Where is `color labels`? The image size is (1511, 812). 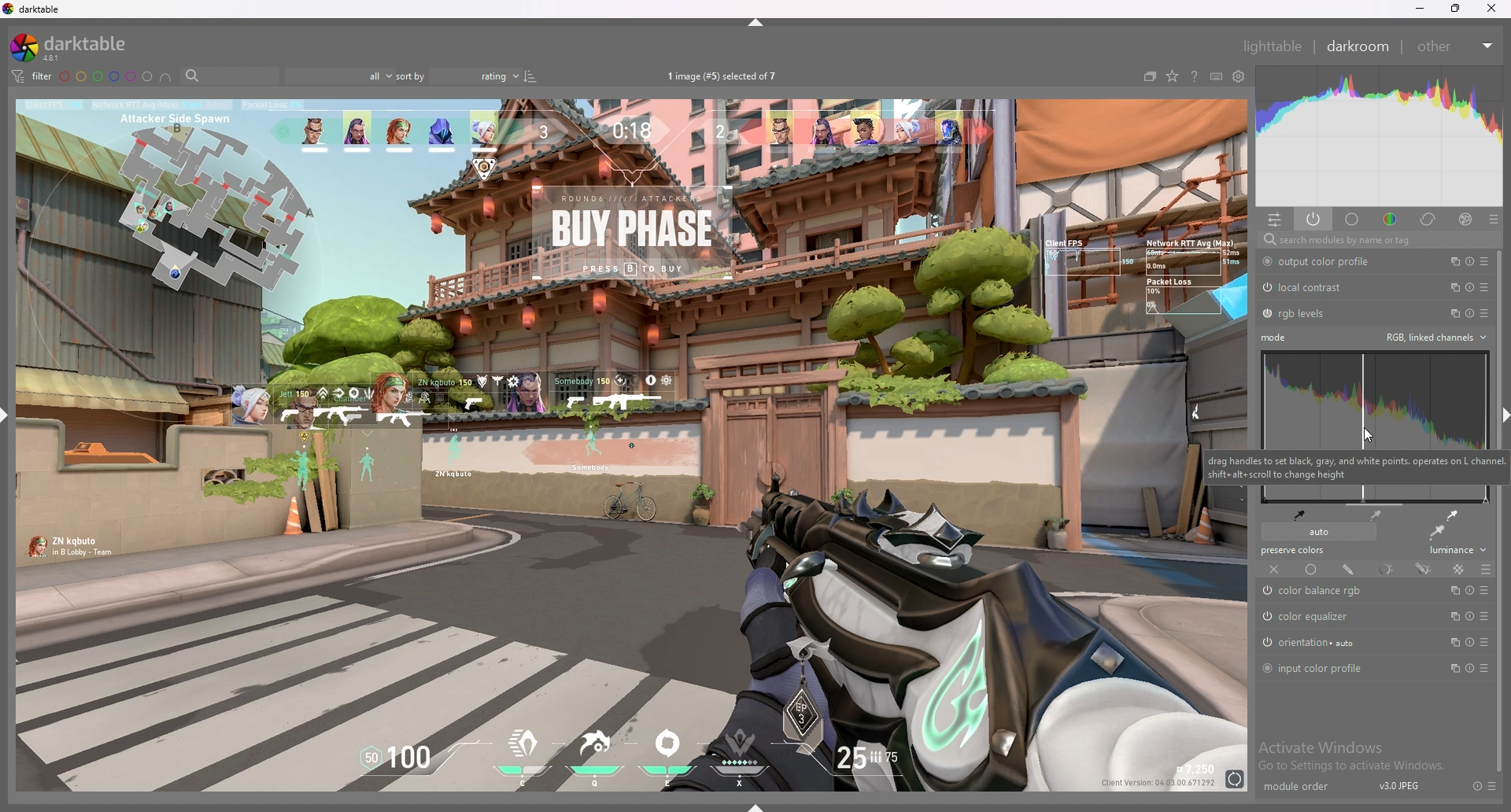
color labels is located at coordinates (105, 76).